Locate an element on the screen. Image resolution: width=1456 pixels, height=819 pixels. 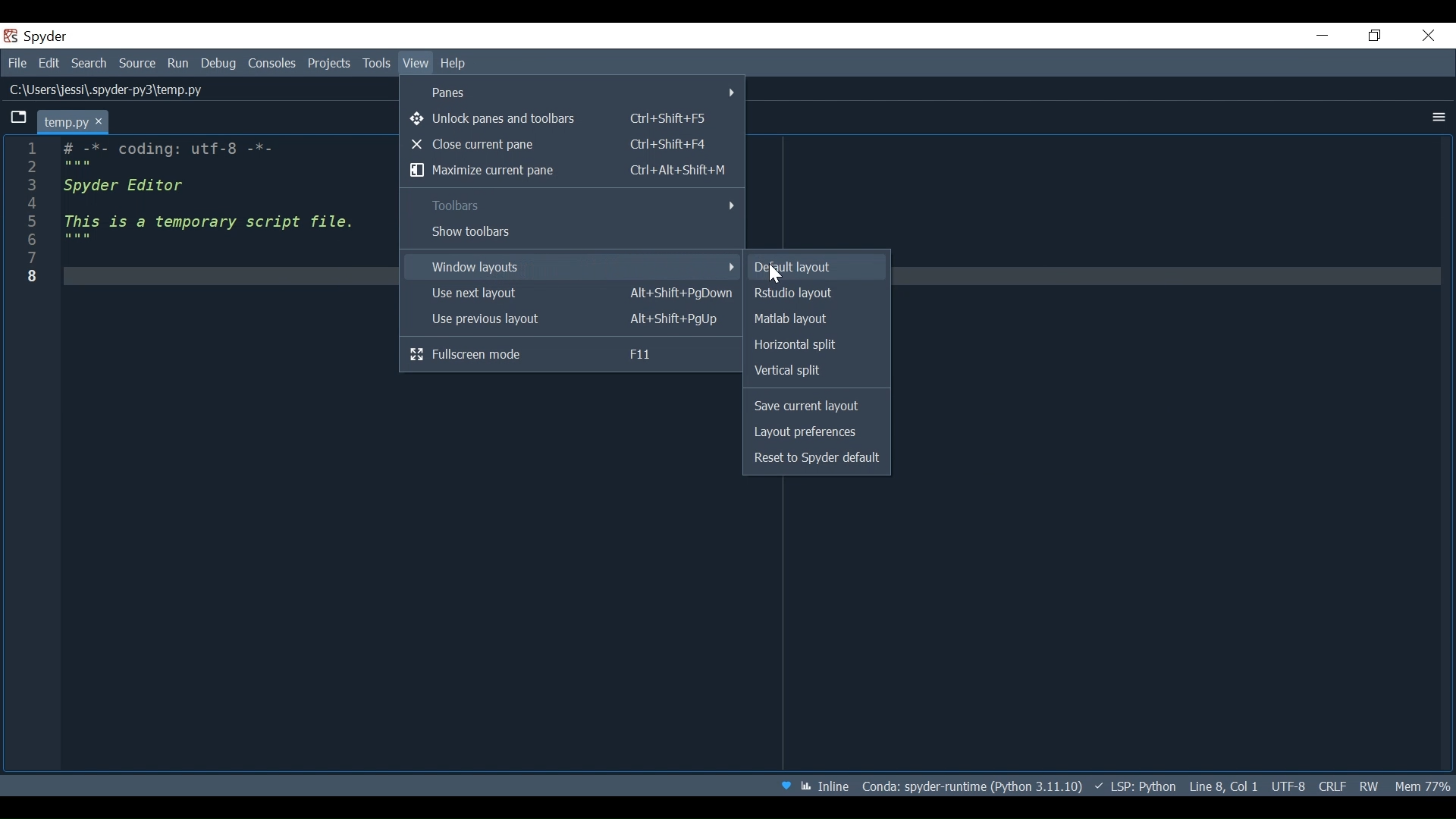
Default layout is located at coordinates (816, 268).